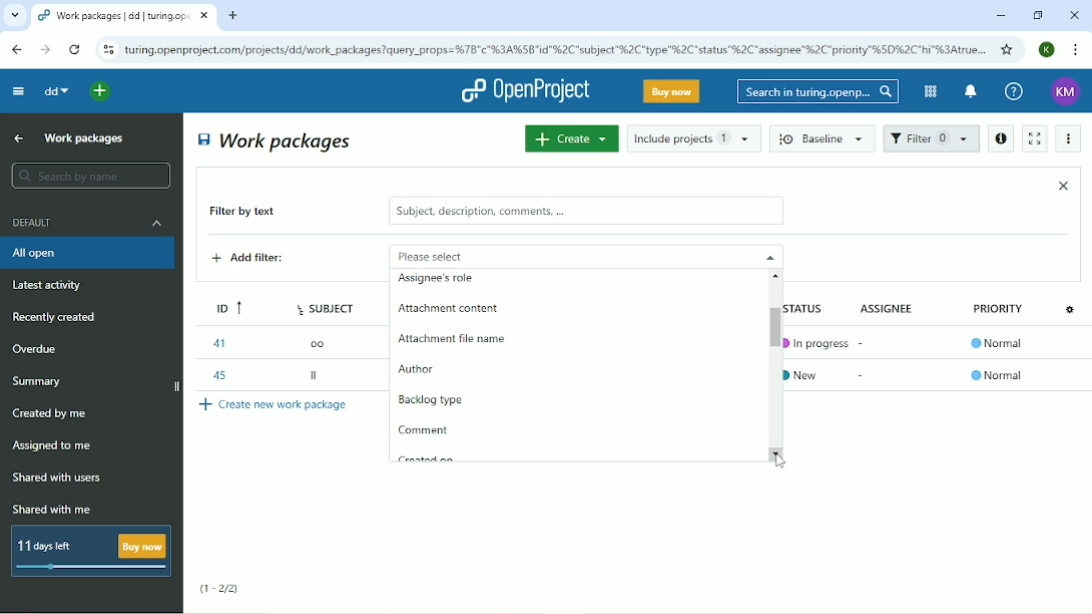  What do you see at coordinates (414, 372) in the screenshot?
I see `Author` at bounding box center [414, 372].